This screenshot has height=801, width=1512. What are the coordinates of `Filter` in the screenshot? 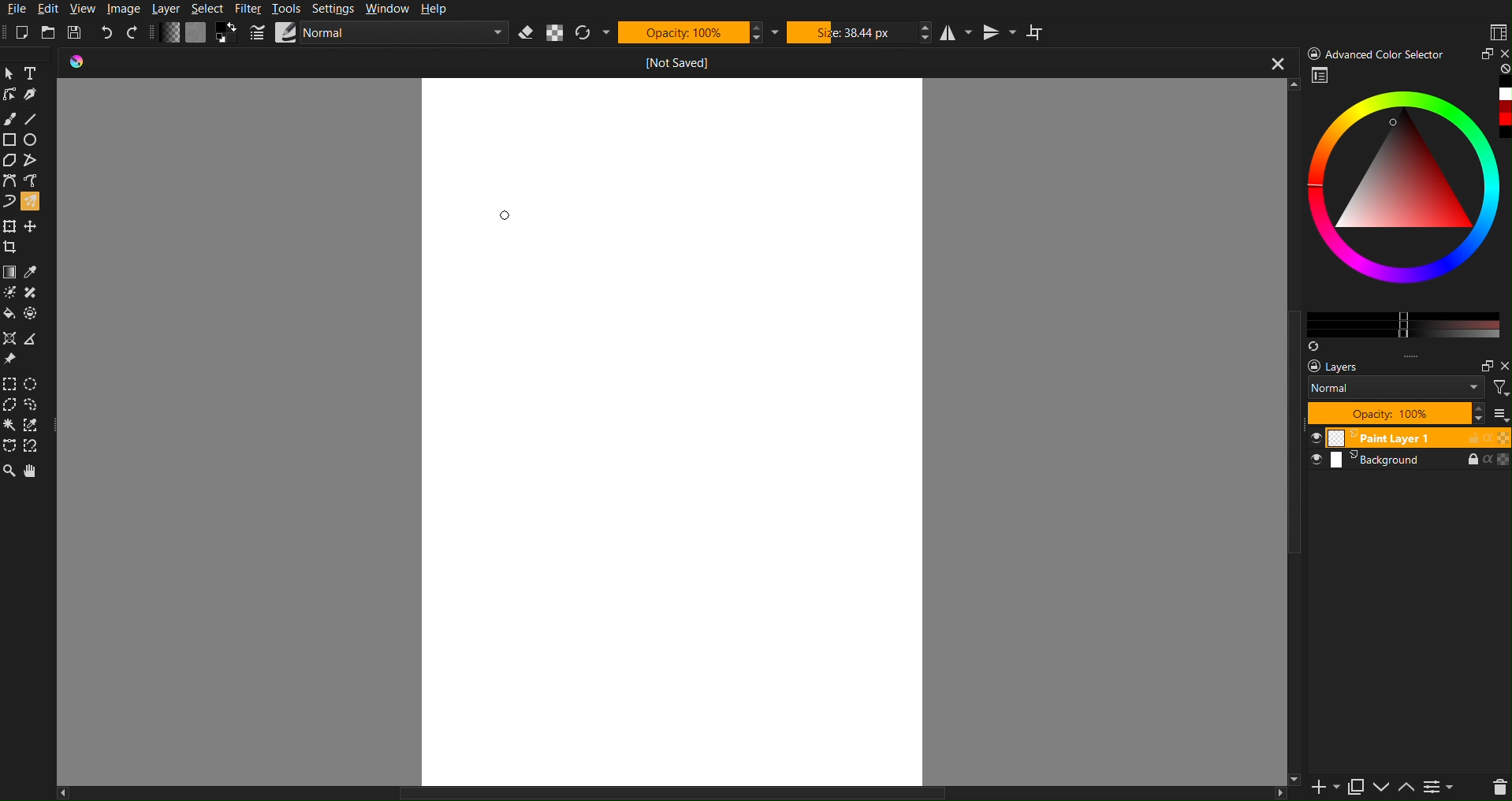 It's located at (251, 8).